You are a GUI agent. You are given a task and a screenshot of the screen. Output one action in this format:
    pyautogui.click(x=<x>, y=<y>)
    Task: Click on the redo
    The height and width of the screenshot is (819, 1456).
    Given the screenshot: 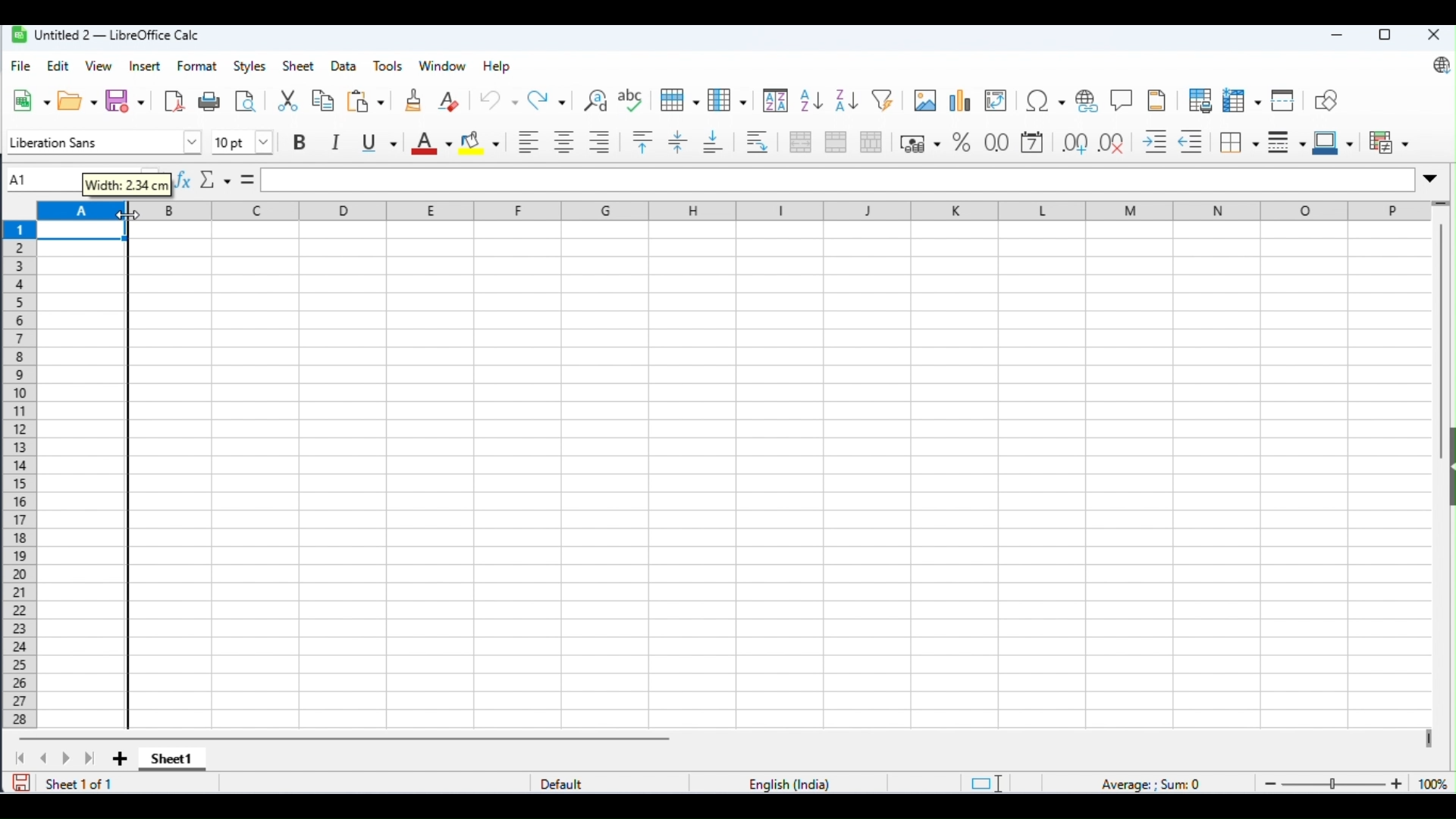 What is the action you would take?
    pyautogui.click(x=549, y=99)
    